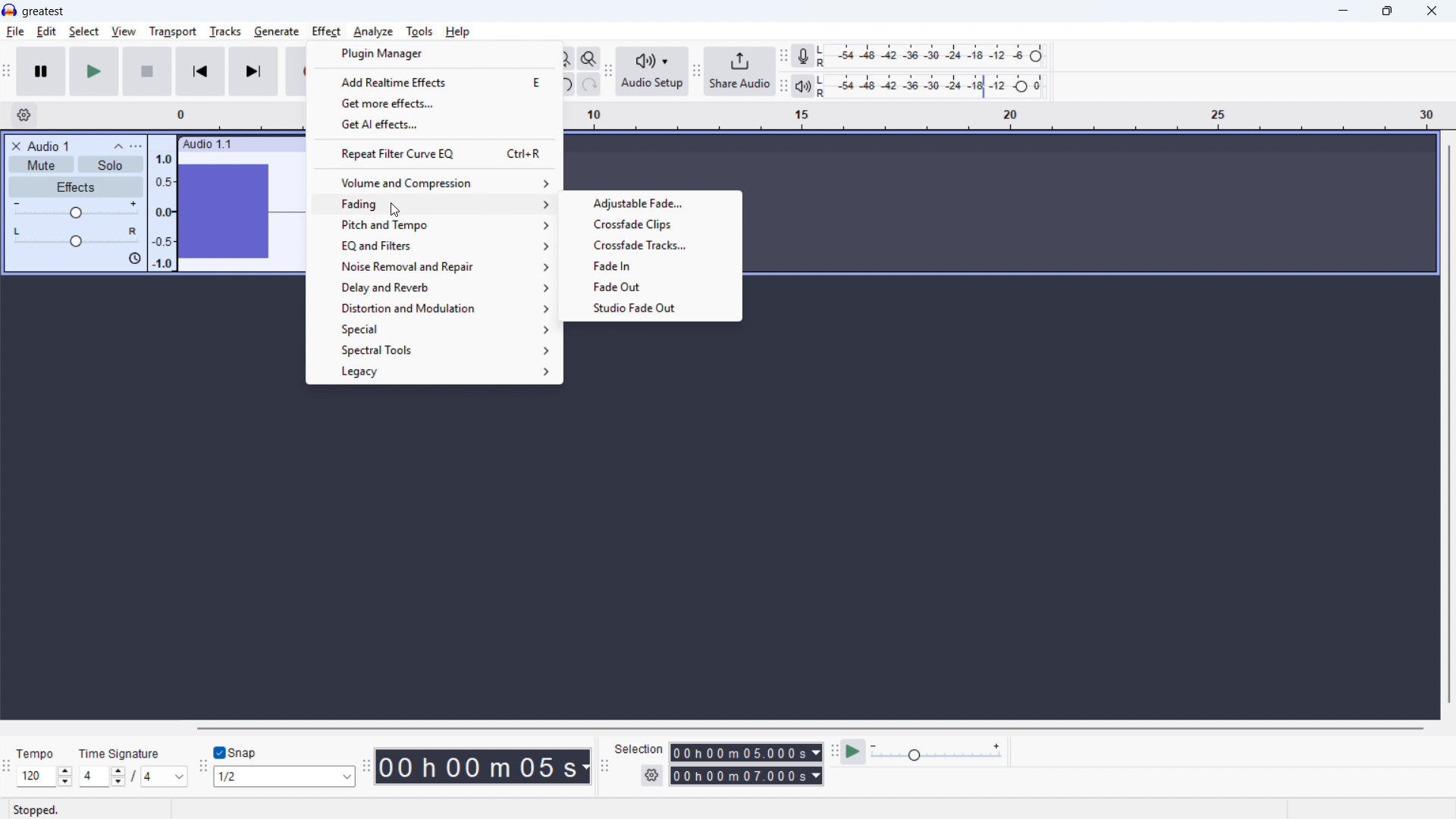  What do you see at coordinates (200, 71) in the screenshot?
I see `Skip to start ` at bounding box center [200, 71].